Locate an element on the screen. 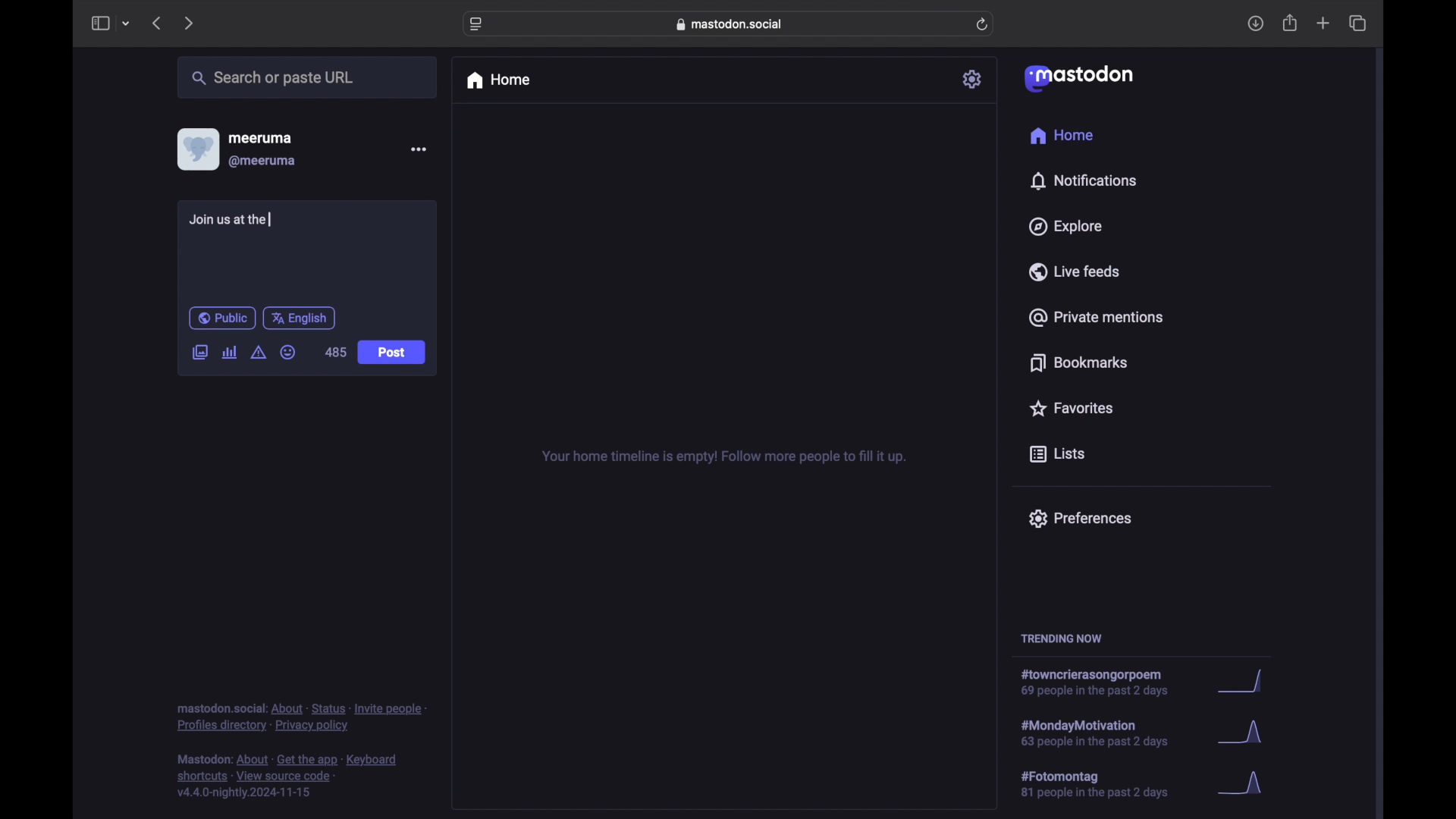 Image resolution: width=1456 pixels, height=819 pixels. private mentions is located at coordinates (1097, 317).